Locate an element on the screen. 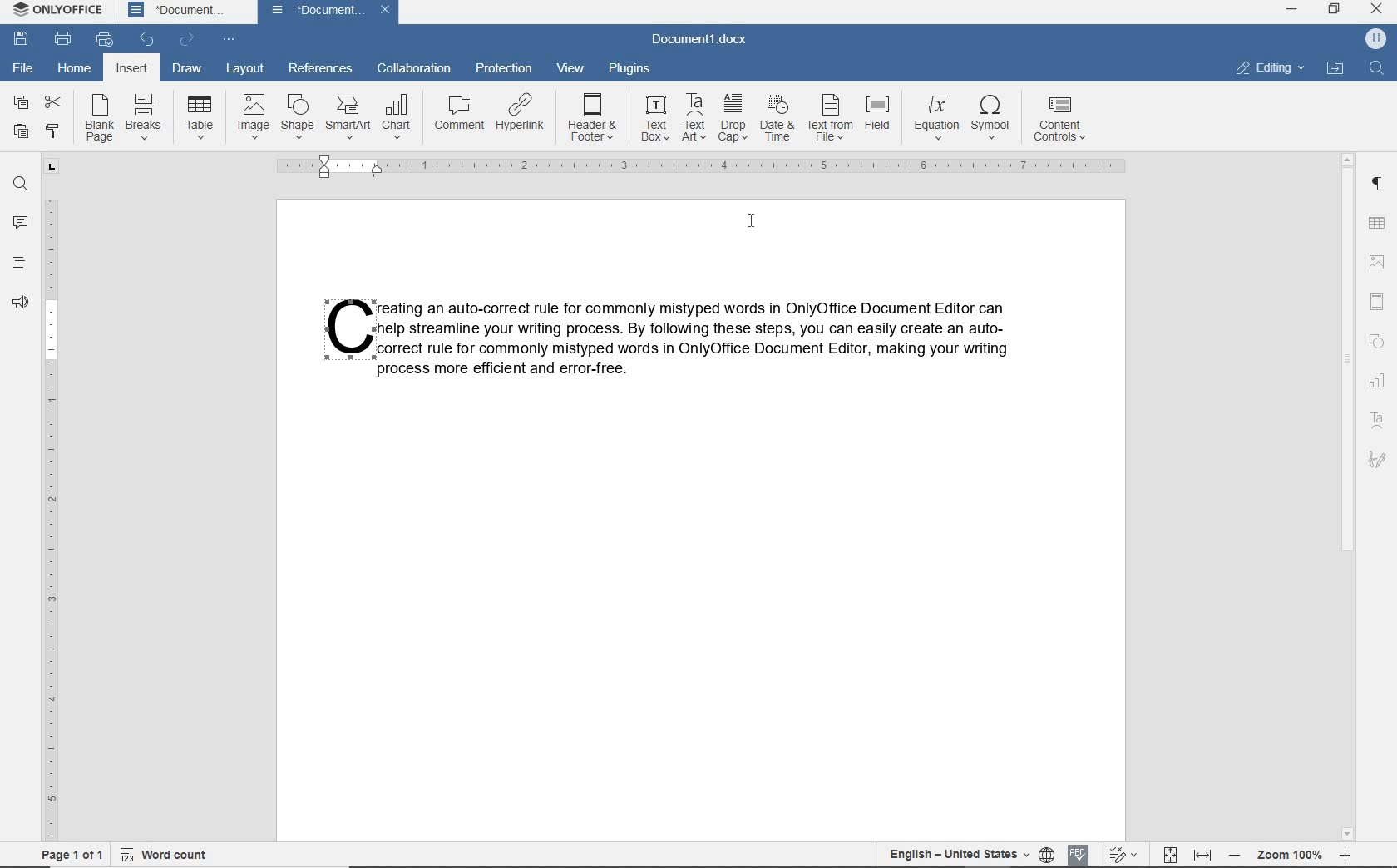 The width and height of the screenshot is (1397, 868). editing is located at coordinates (1269, 68).